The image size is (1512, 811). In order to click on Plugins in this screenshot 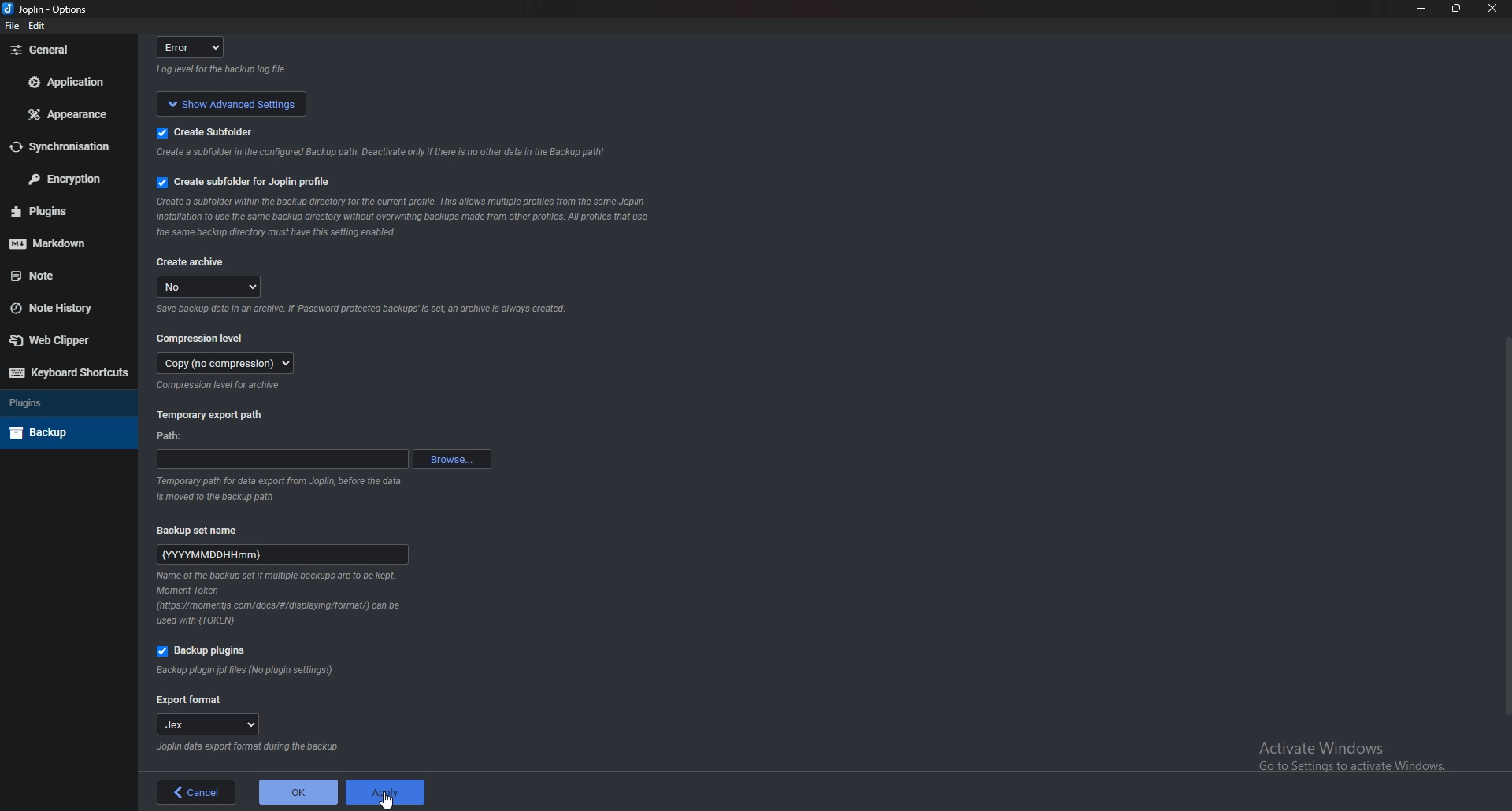, I will do `click(61, 211)`.